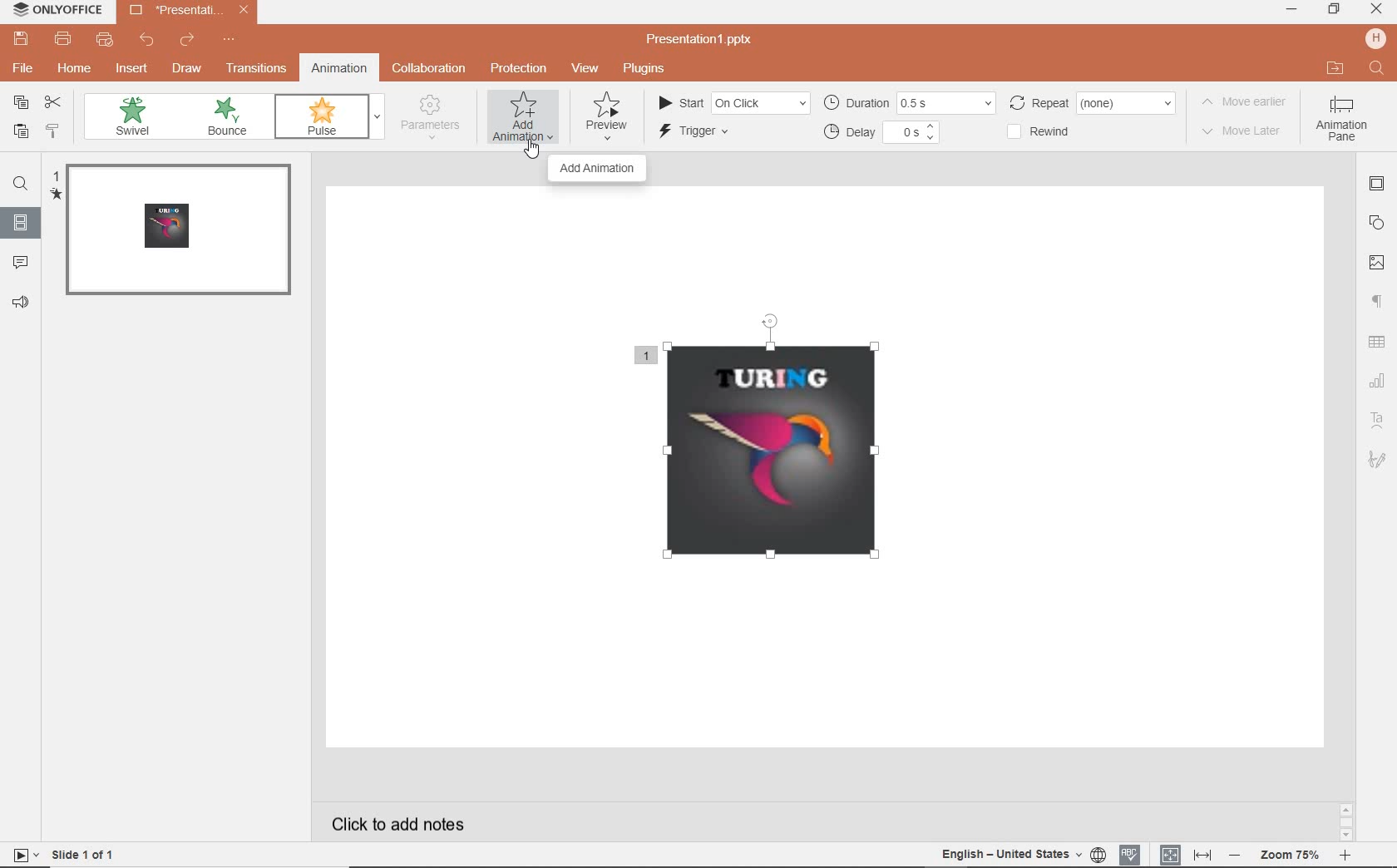  I want to click on trigger, so click(711, 135).